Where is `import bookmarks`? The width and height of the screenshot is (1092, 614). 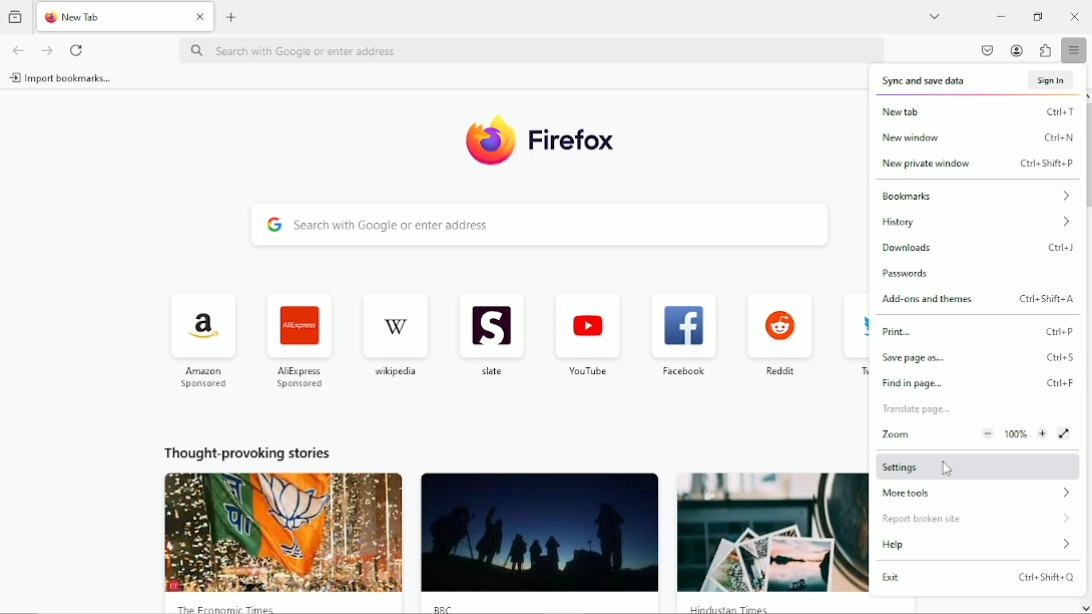 import bookmarks is located at coordinates (66, 79).